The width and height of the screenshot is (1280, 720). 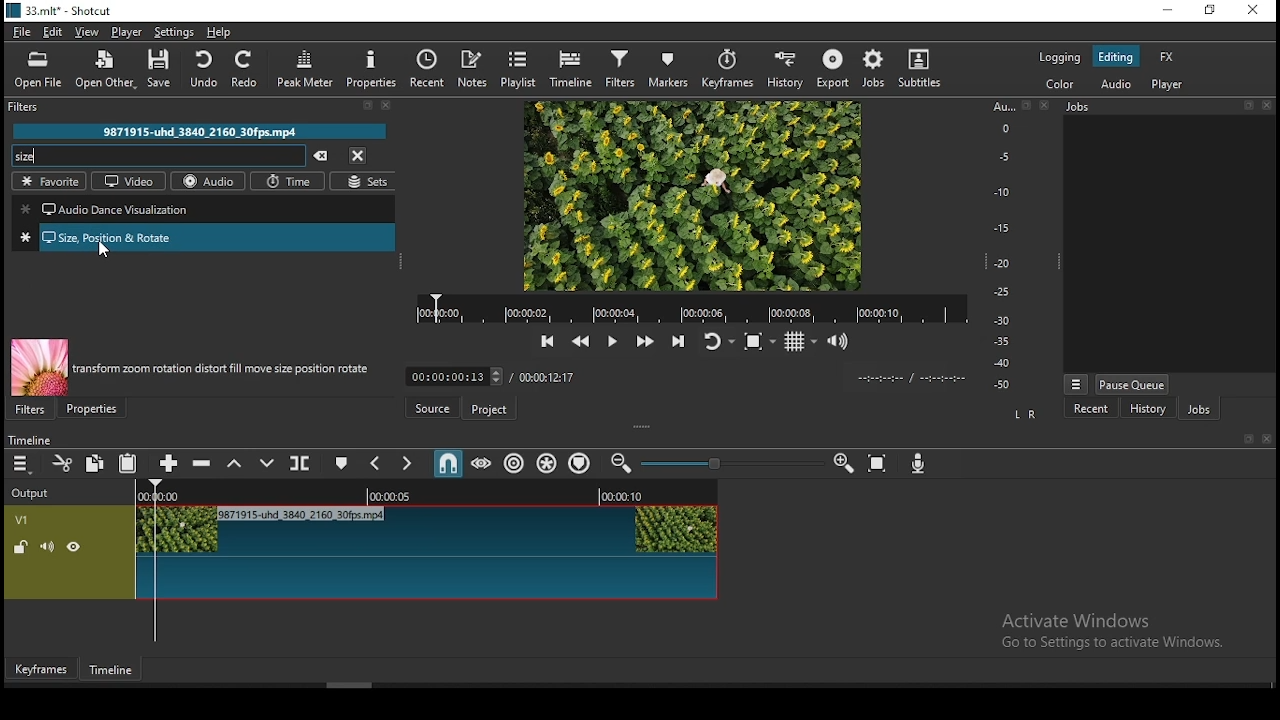 I want to click on video time duration bar, so click(x=427, y=492).